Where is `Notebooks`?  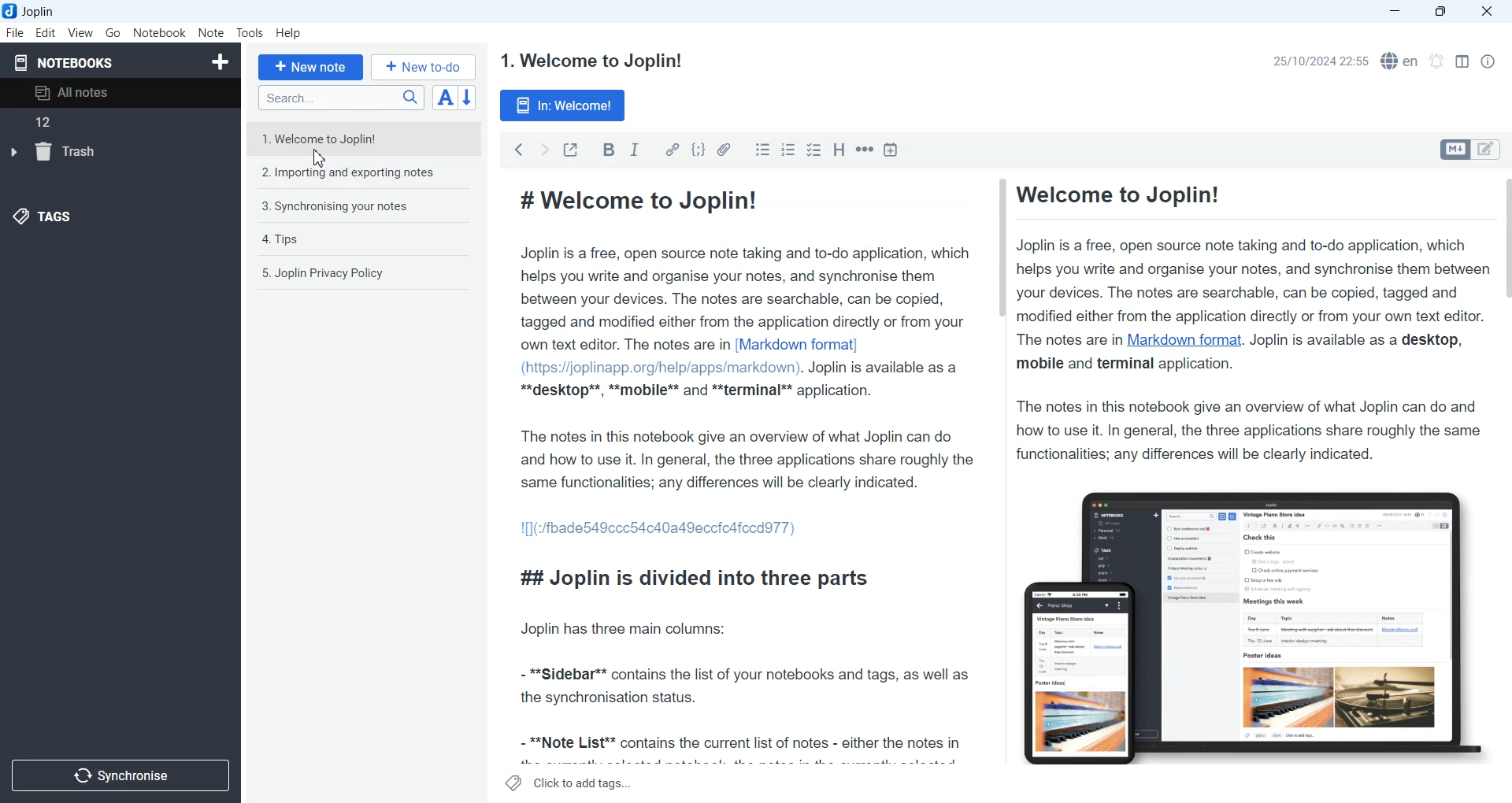
Notebooks is located at coordinates (64, 62).